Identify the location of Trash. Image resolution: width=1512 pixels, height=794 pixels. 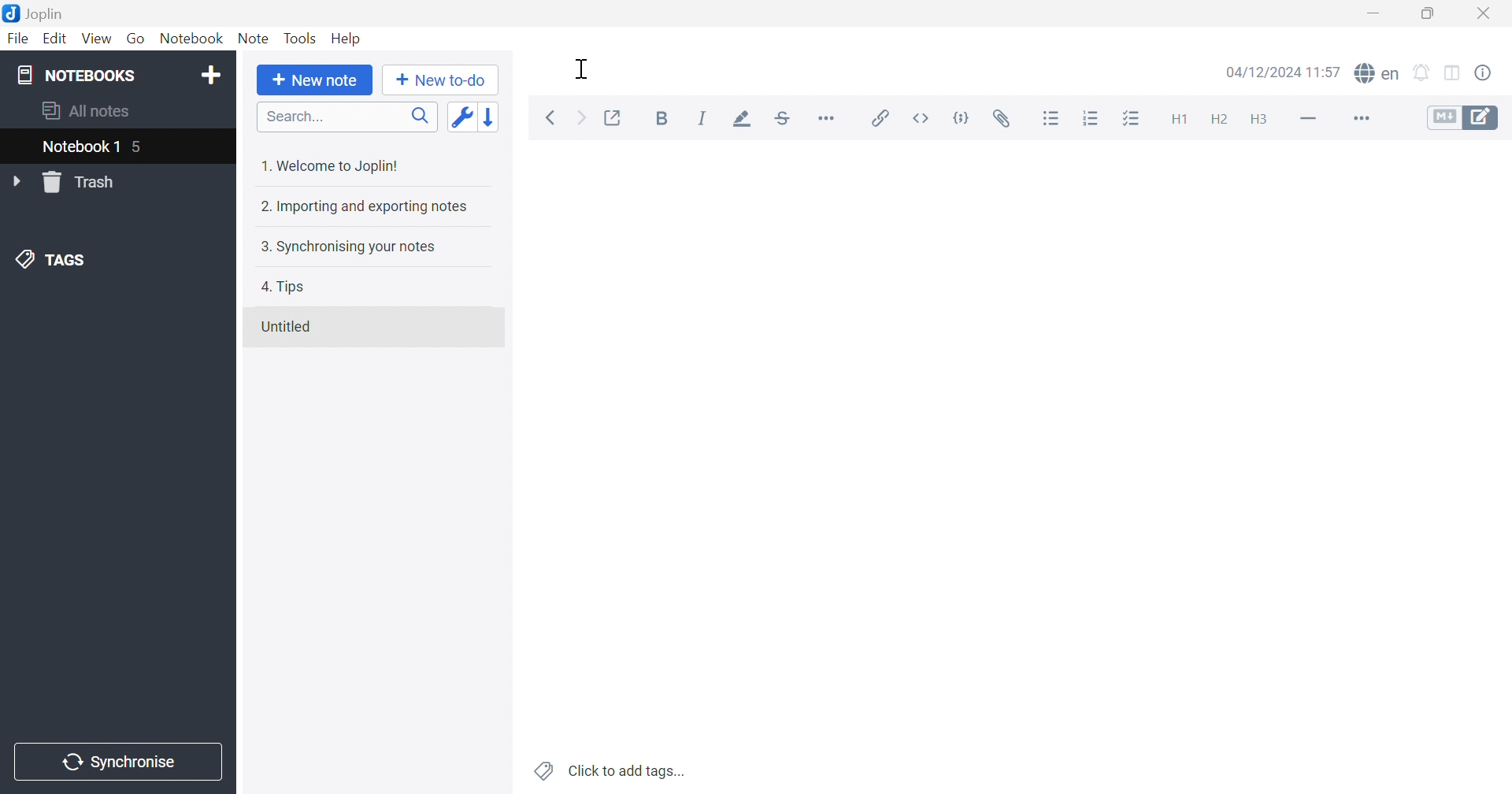
(84, 183).